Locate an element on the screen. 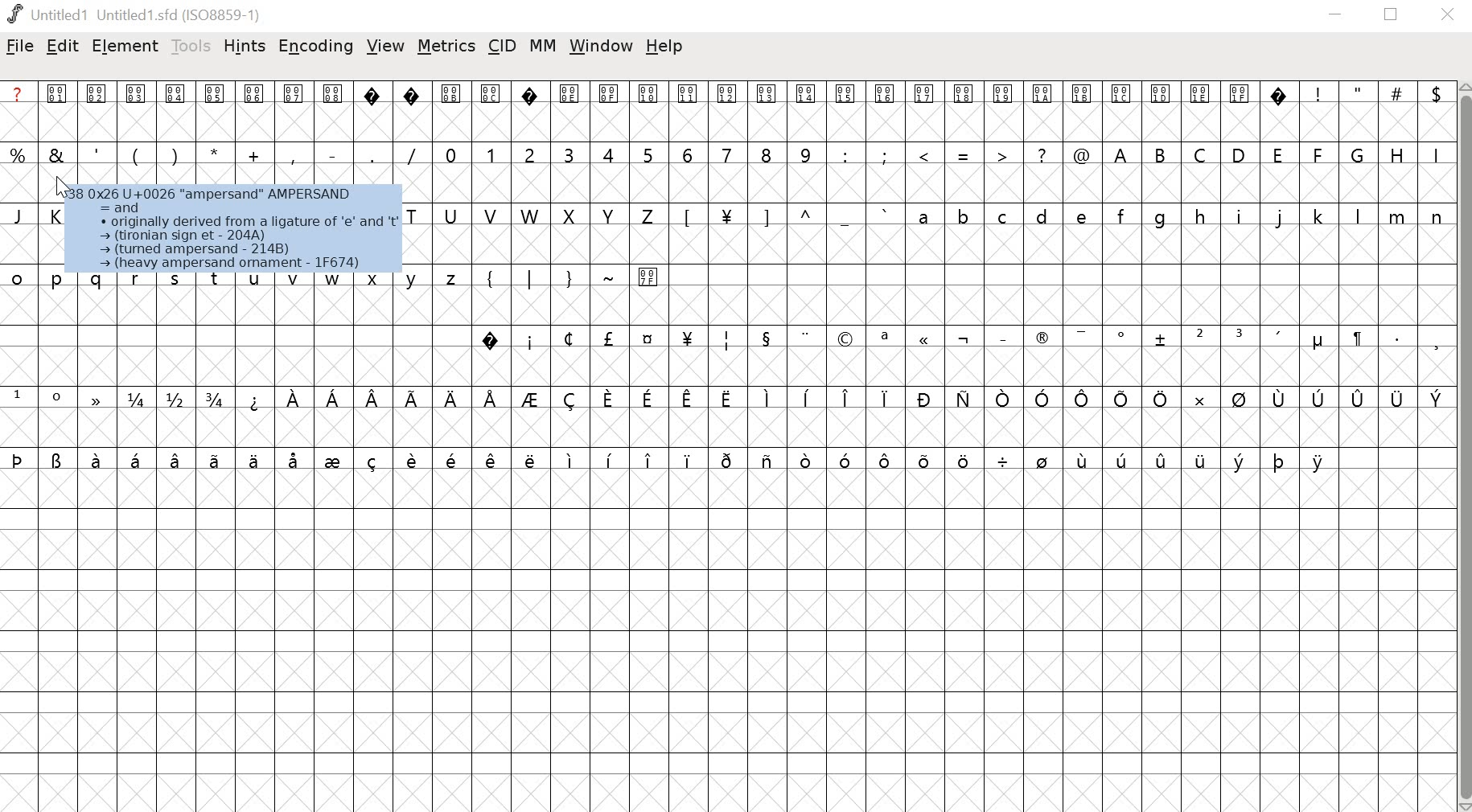 This screenshot has width=1472, height=812. symbol is located at coordinates (1124, 399).